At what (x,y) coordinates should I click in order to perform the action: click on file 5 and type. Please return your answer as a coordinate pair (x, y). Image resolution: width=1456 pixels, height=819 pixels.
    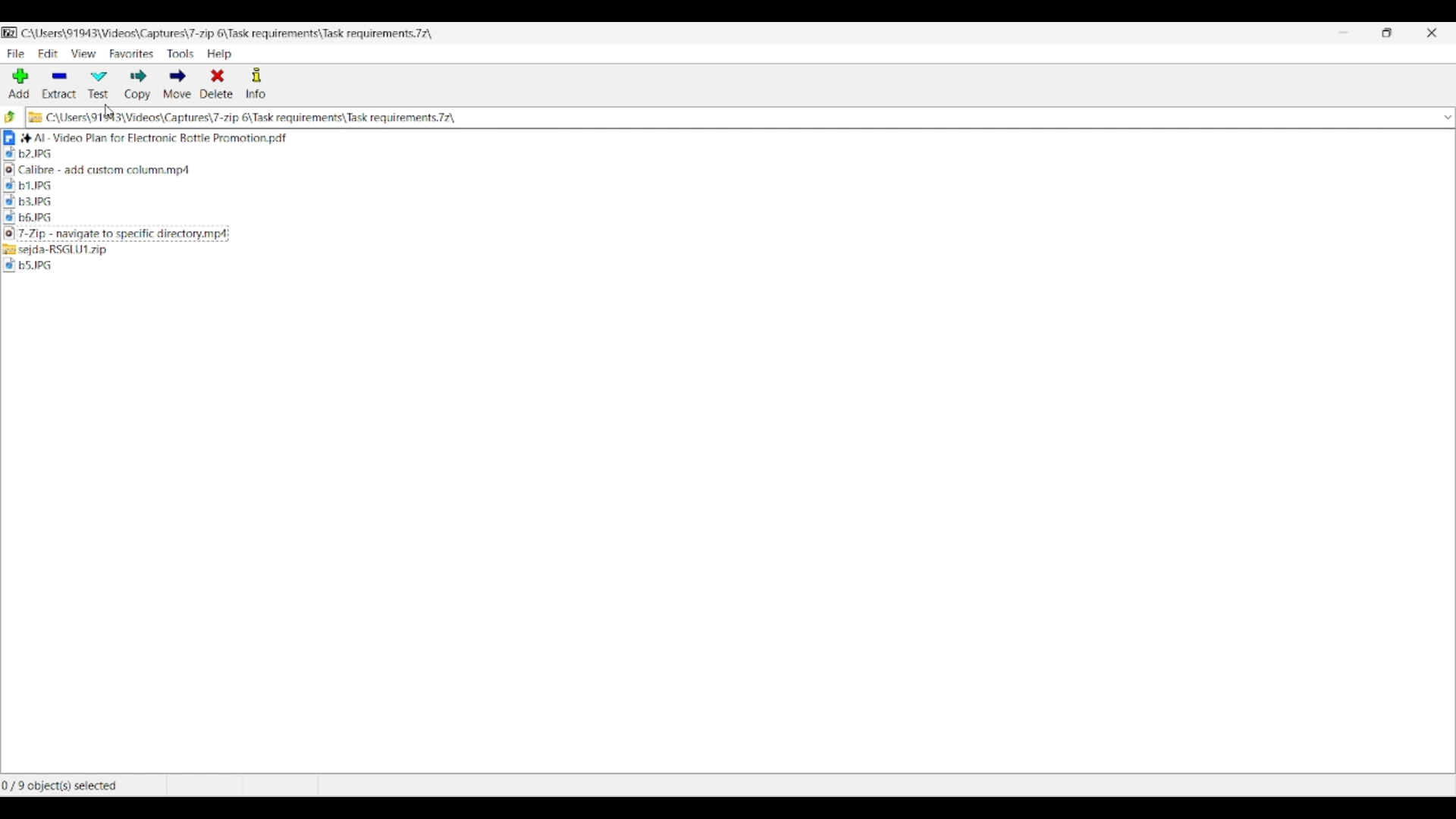
    Looking at the image, I should click on (414, 202).